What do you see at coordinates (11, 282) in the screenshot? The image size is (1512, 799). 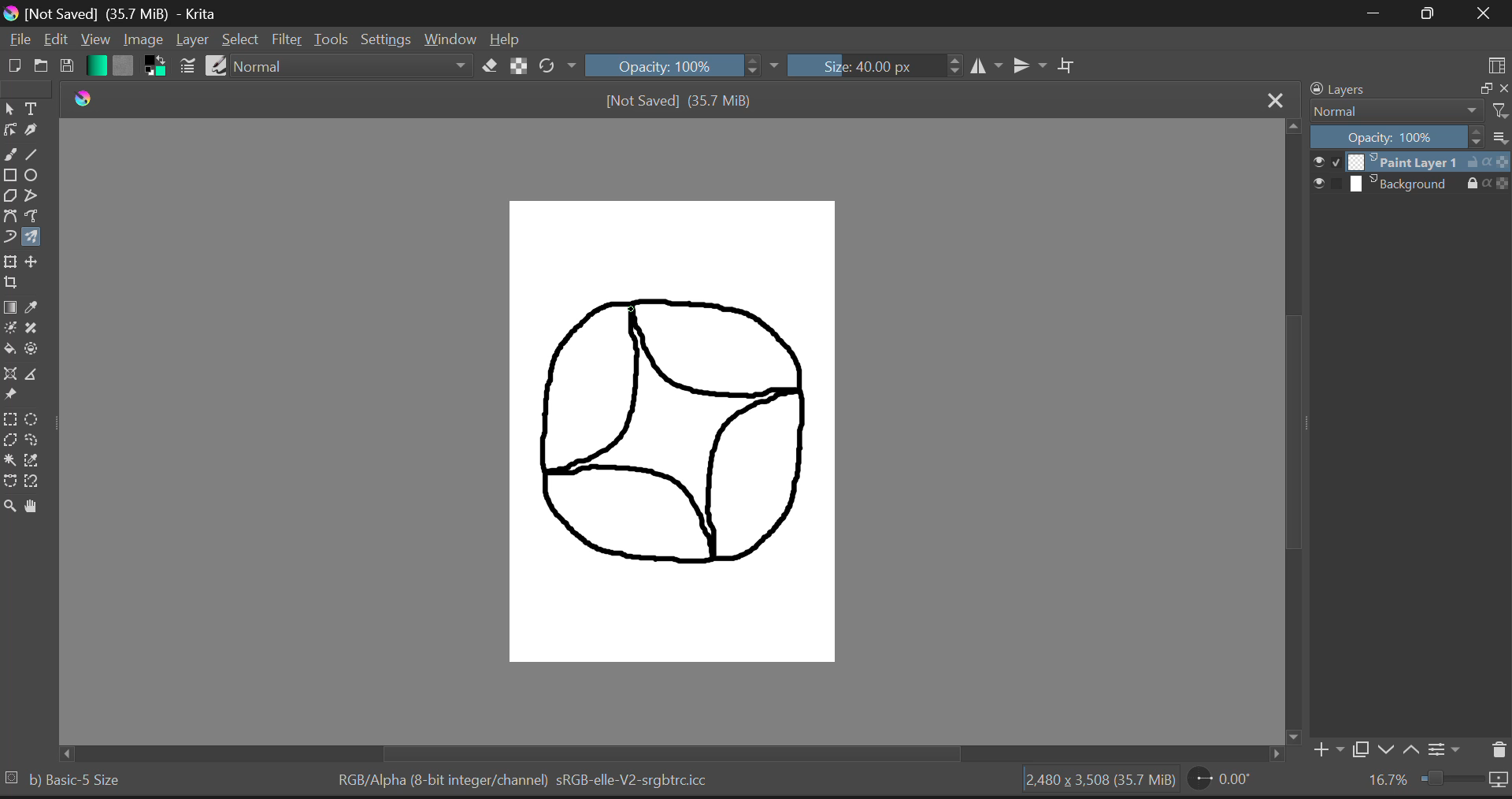 I see `Crop Layer` at bounding box center [11, 282].